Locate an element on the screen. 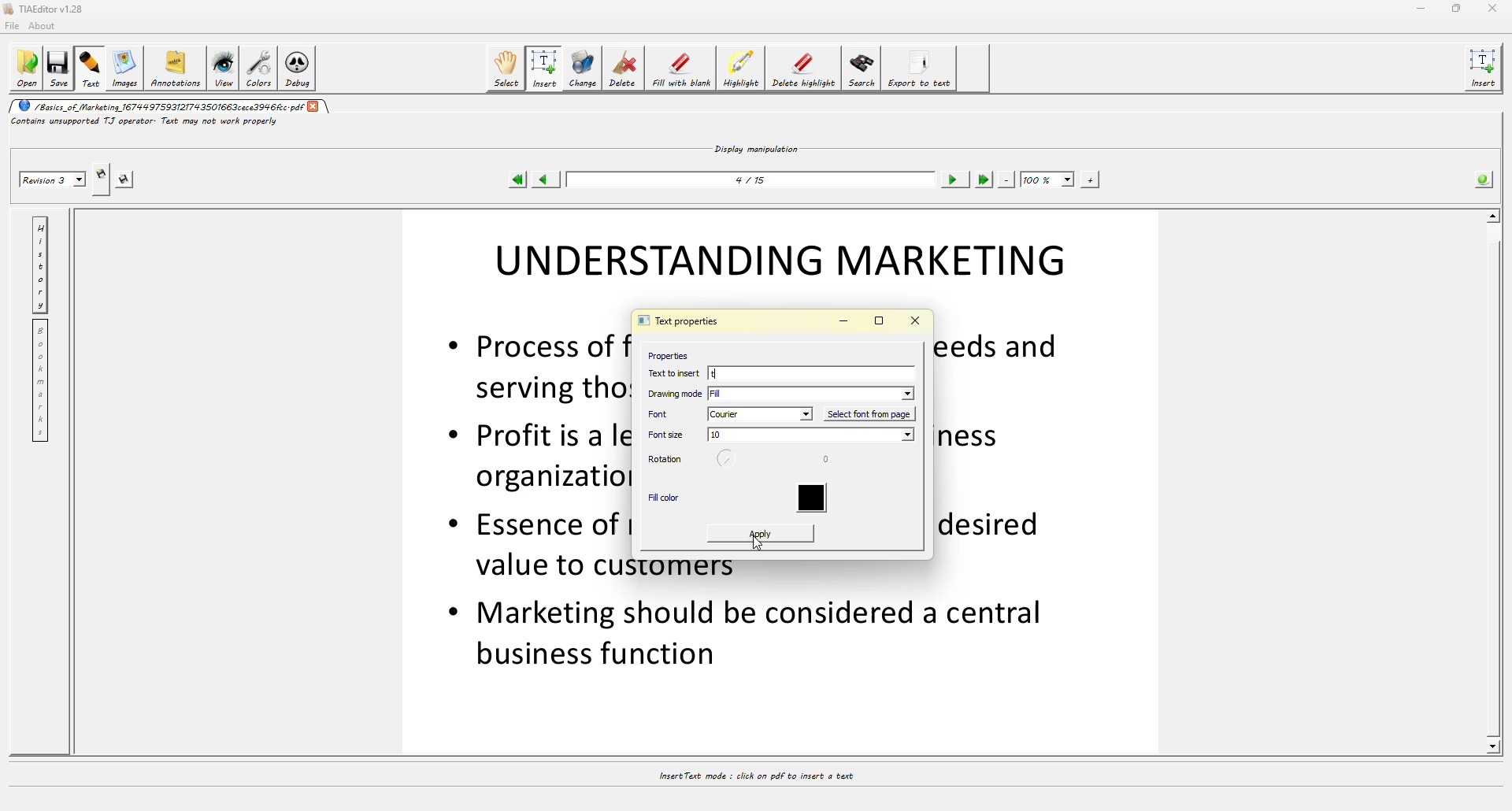 The image size is (1512, 811). open is located at coordinates (28, 69).